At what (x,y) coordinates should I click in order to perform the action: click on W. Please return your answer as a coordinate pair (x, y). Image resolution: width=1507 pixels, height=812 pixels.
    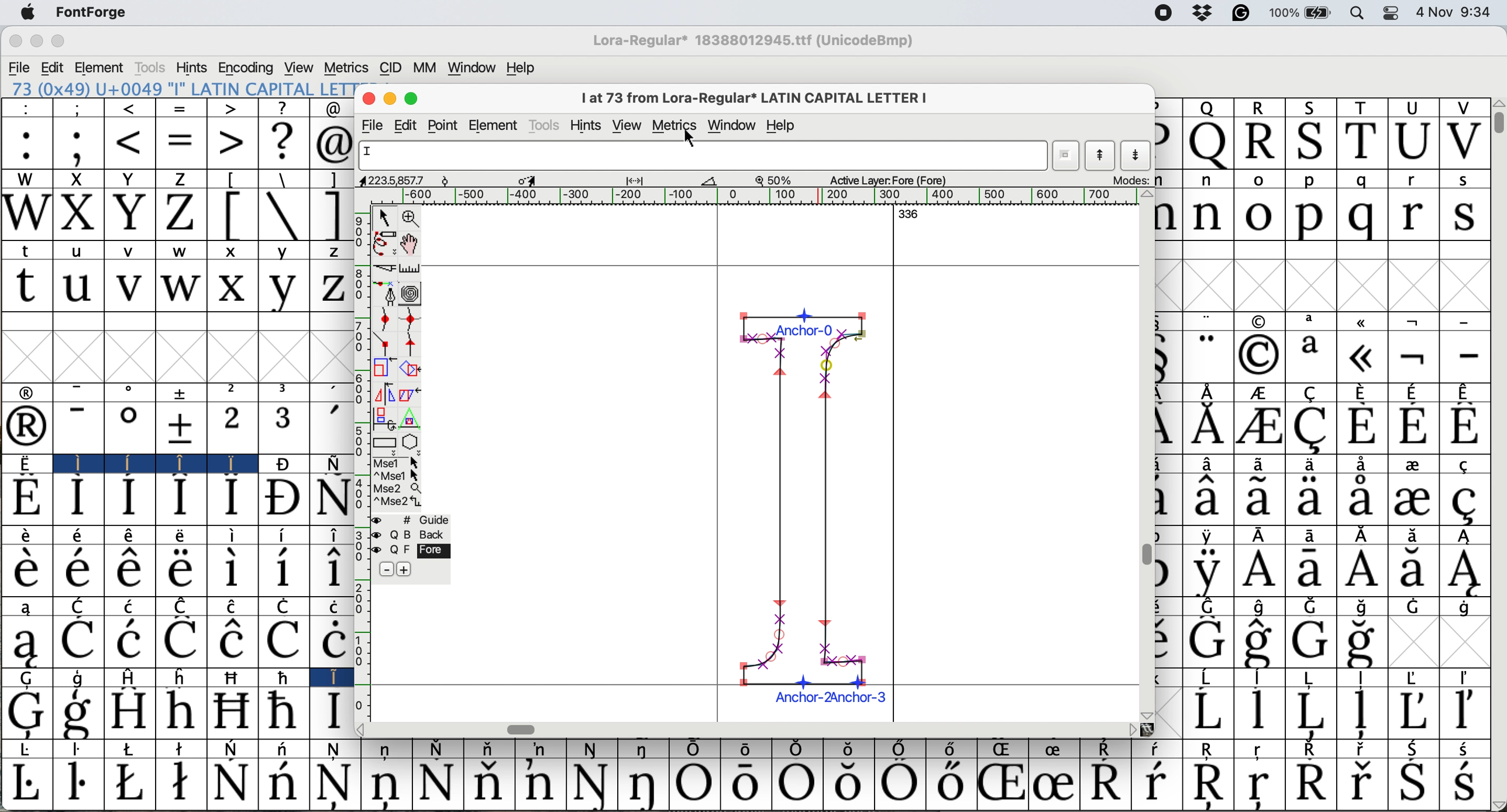
    Looking at the image, I should click on (26, 215).